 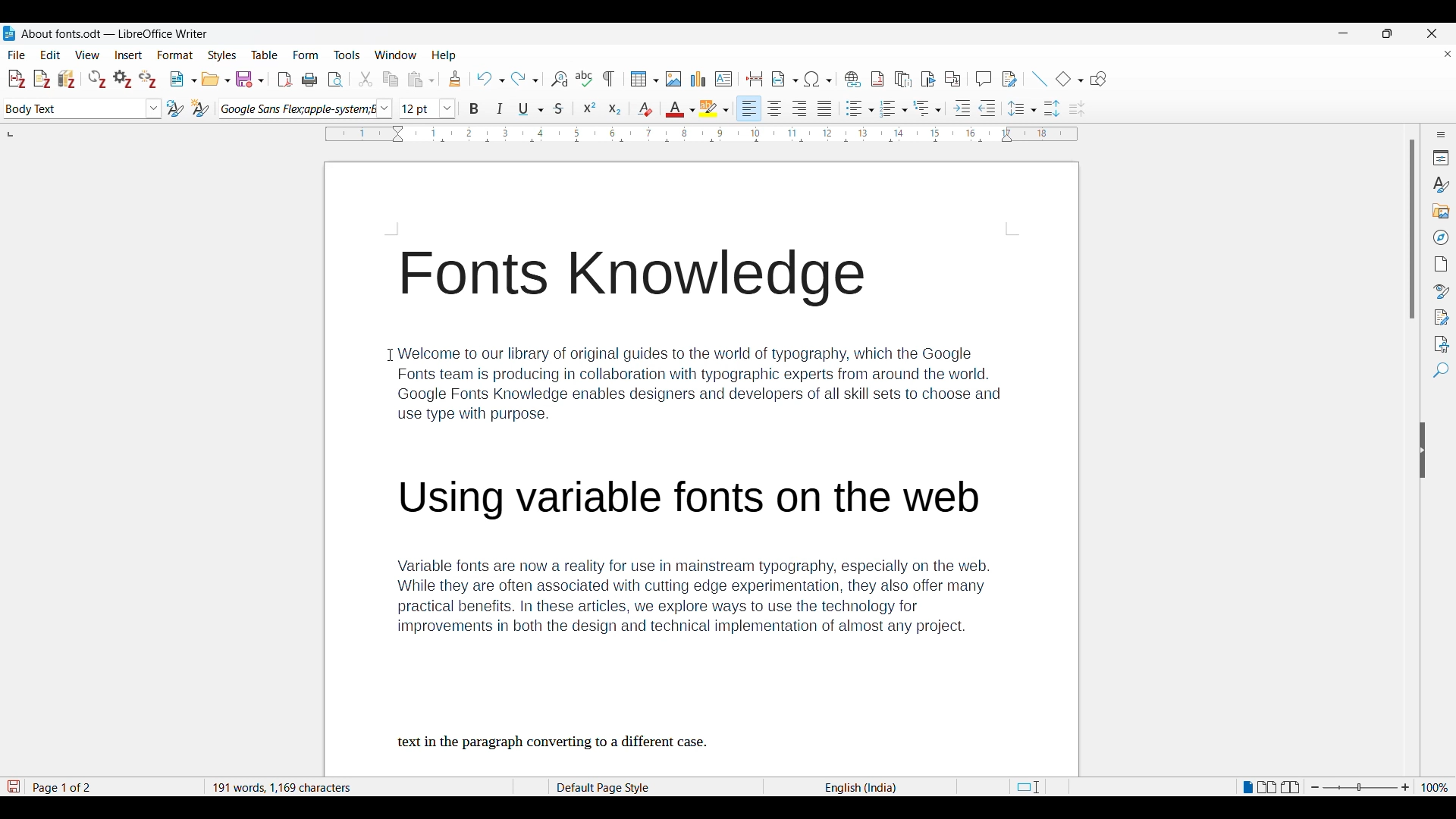 I want to click on Tools menu, so click(x=347, y=55).